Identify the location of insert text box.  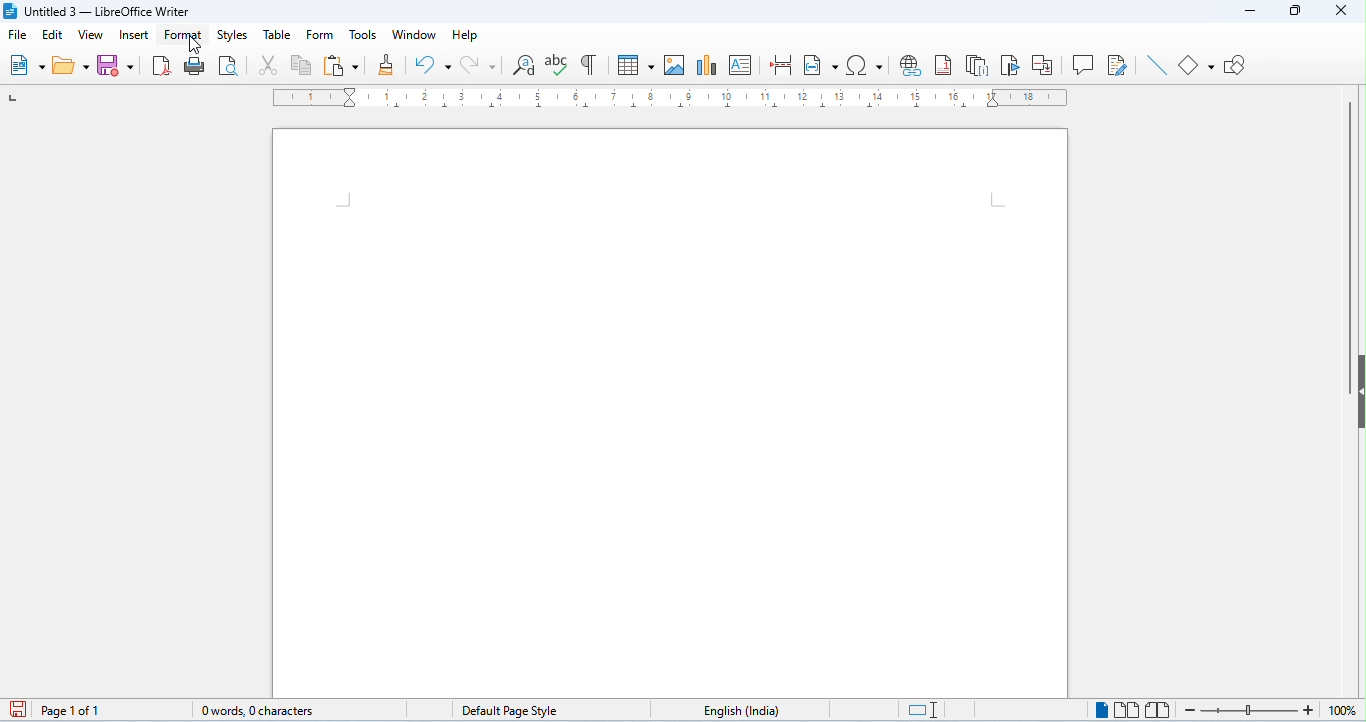
(743, 63).